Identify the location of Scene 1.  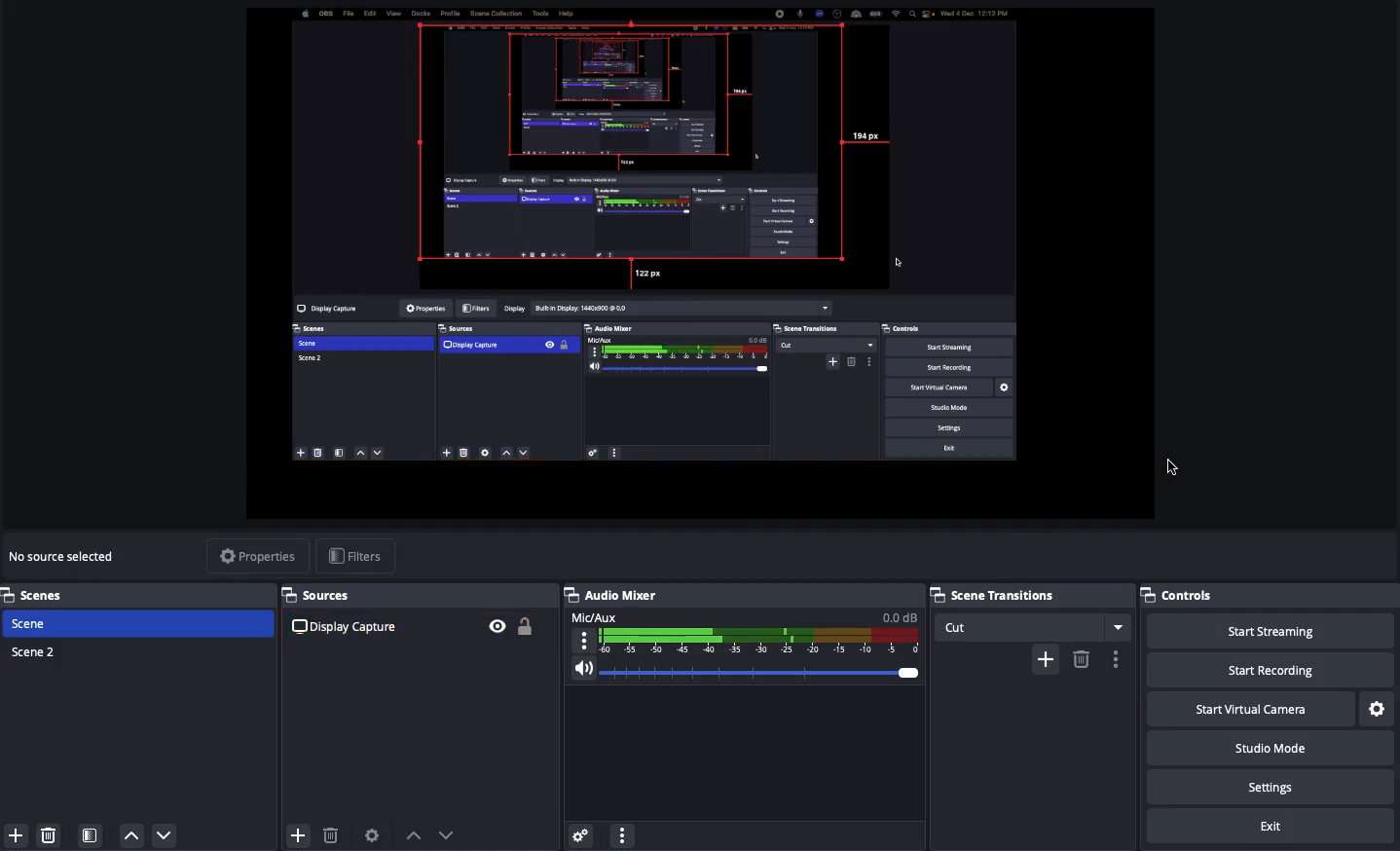
(42, 623).